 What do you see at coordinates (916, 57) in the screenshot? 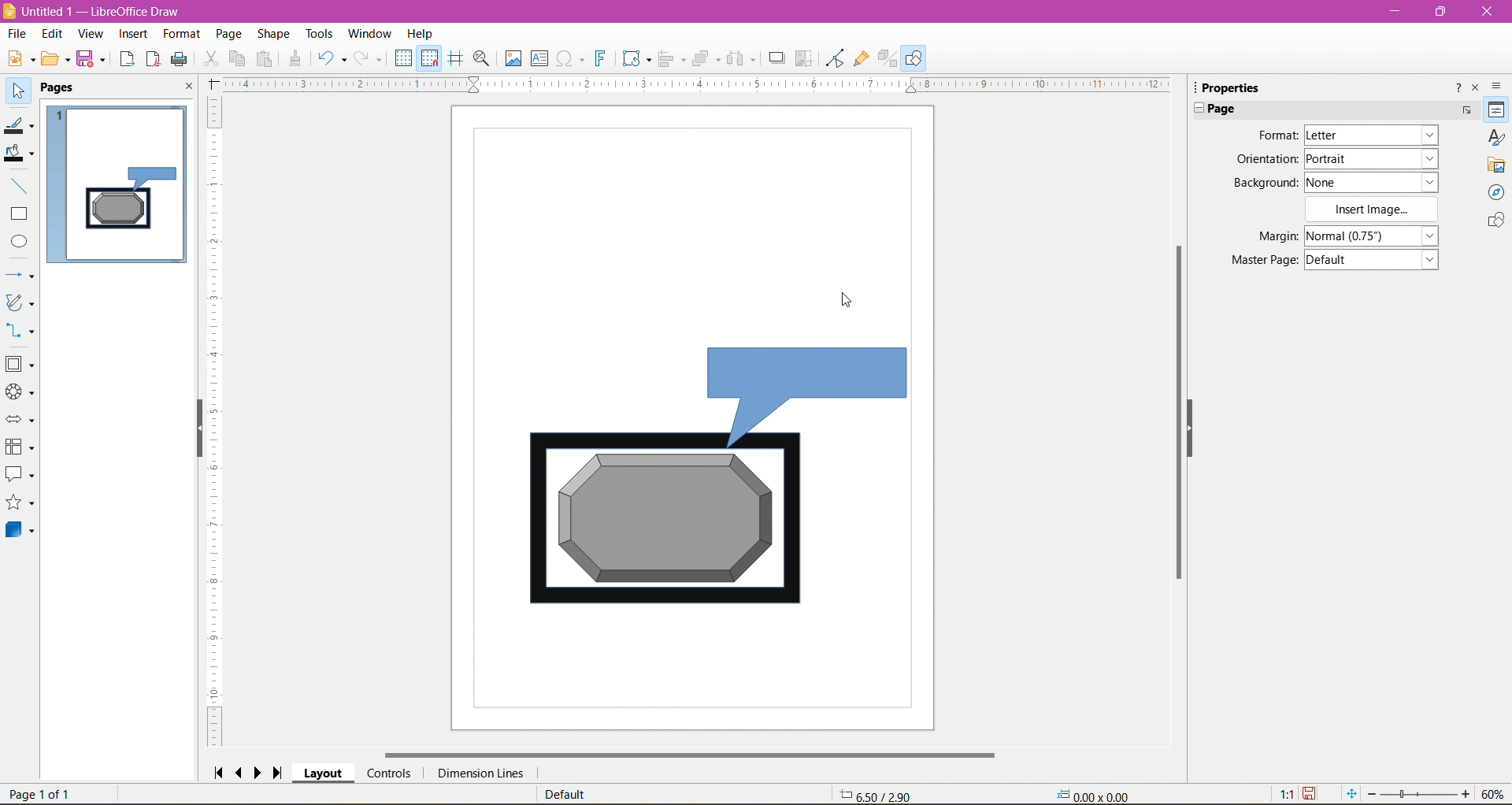
I see `Show Draw Functions` at bounding box center [916, 57].